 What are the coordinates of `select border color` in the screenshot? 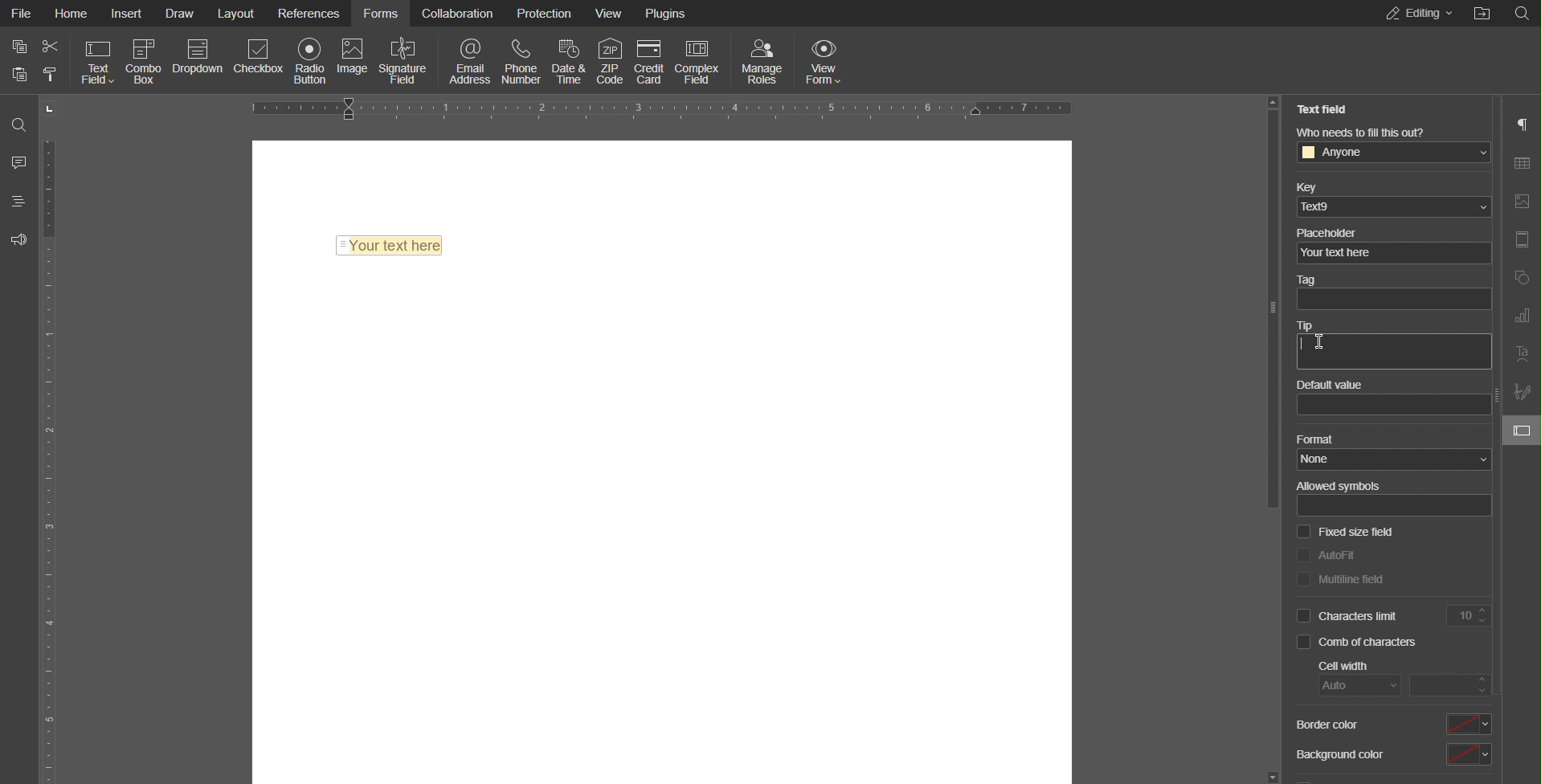 It's located at (1468, 724).